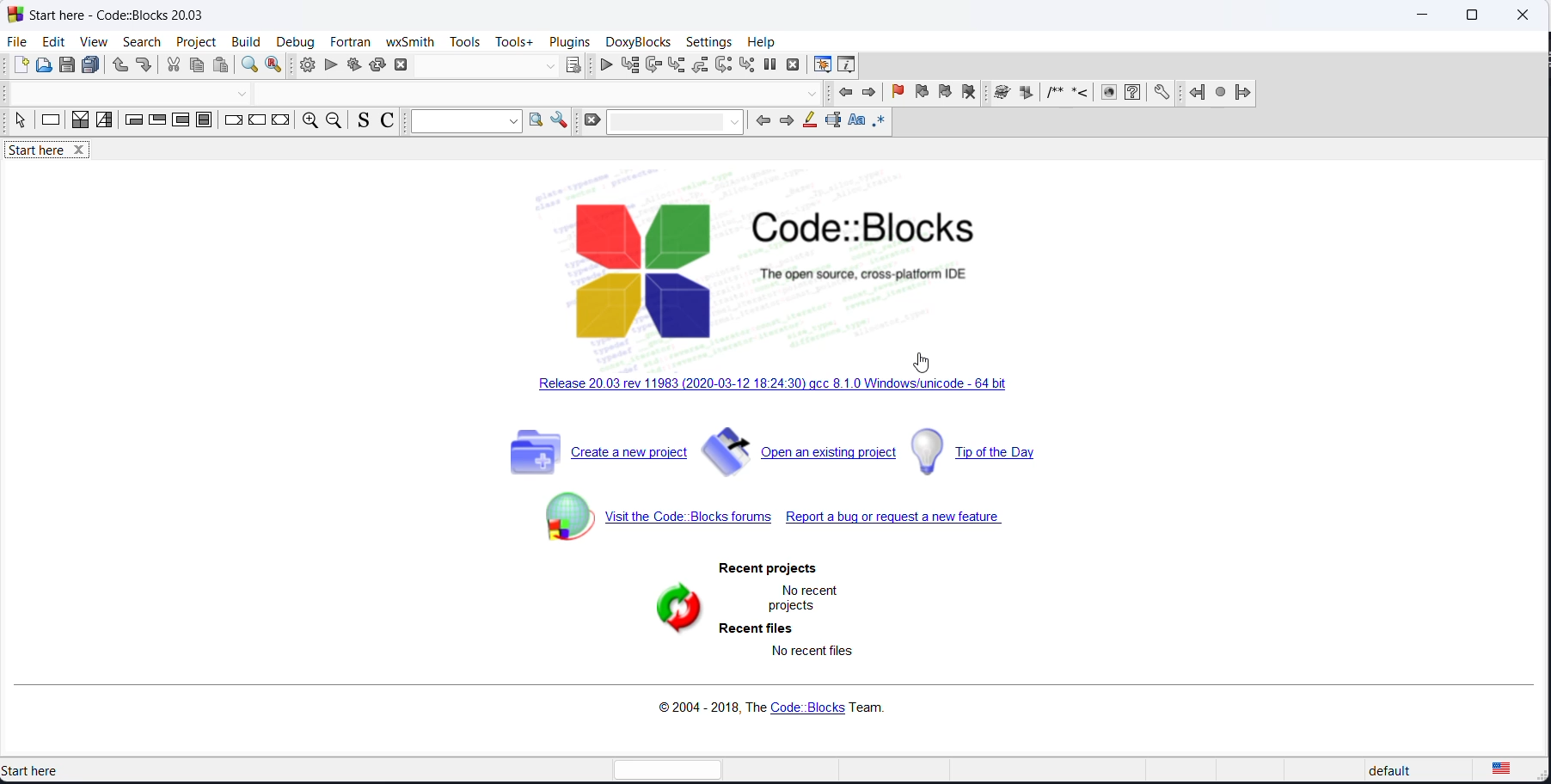 The width and height of the screenshot is (1551, 784). I want to click on selection, so click(104, 123).